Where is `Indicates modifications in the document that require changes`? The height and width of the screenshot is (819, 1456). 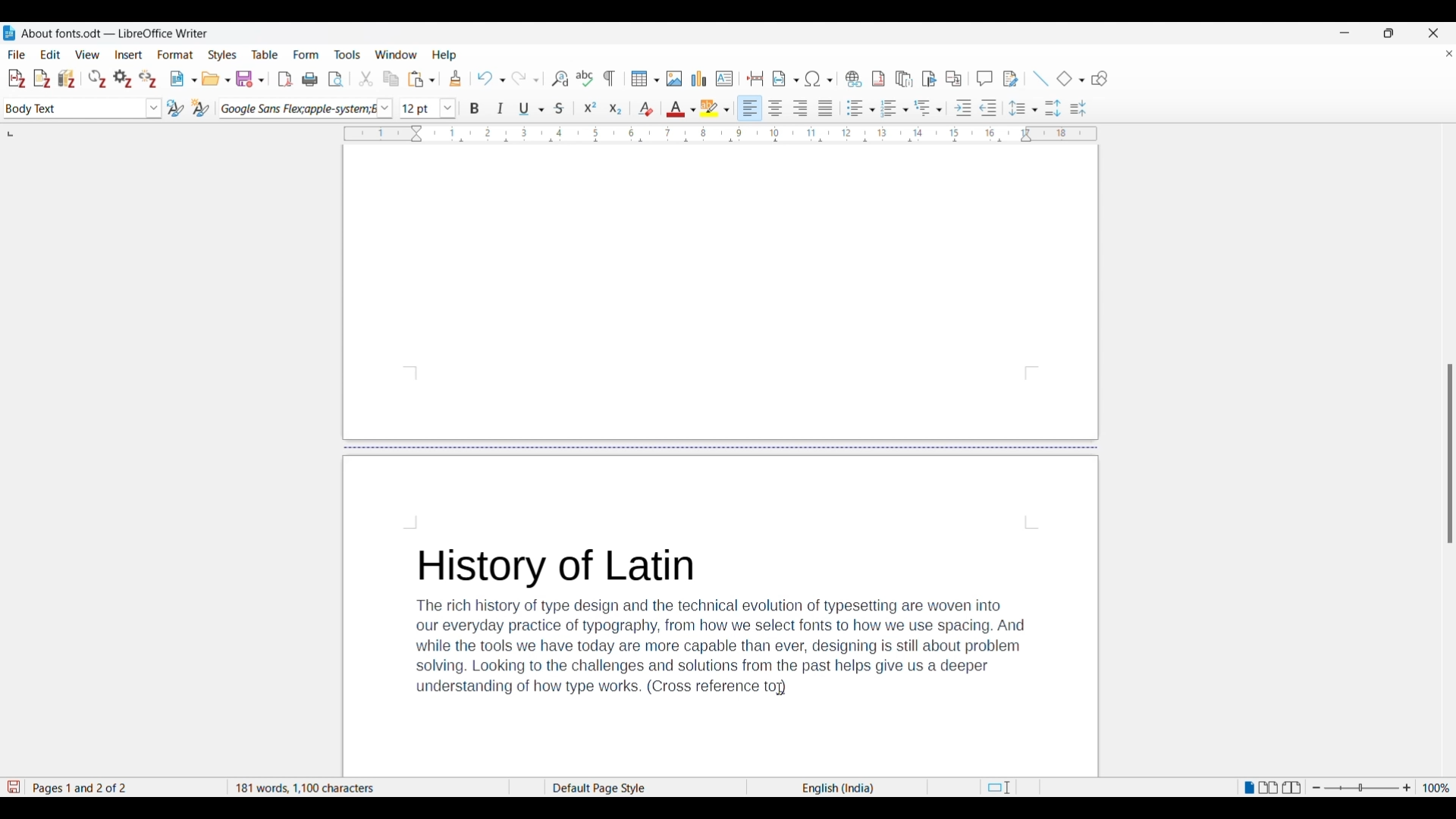 Indicates modifications in the document that require changes is located at coordinates (13, 787).